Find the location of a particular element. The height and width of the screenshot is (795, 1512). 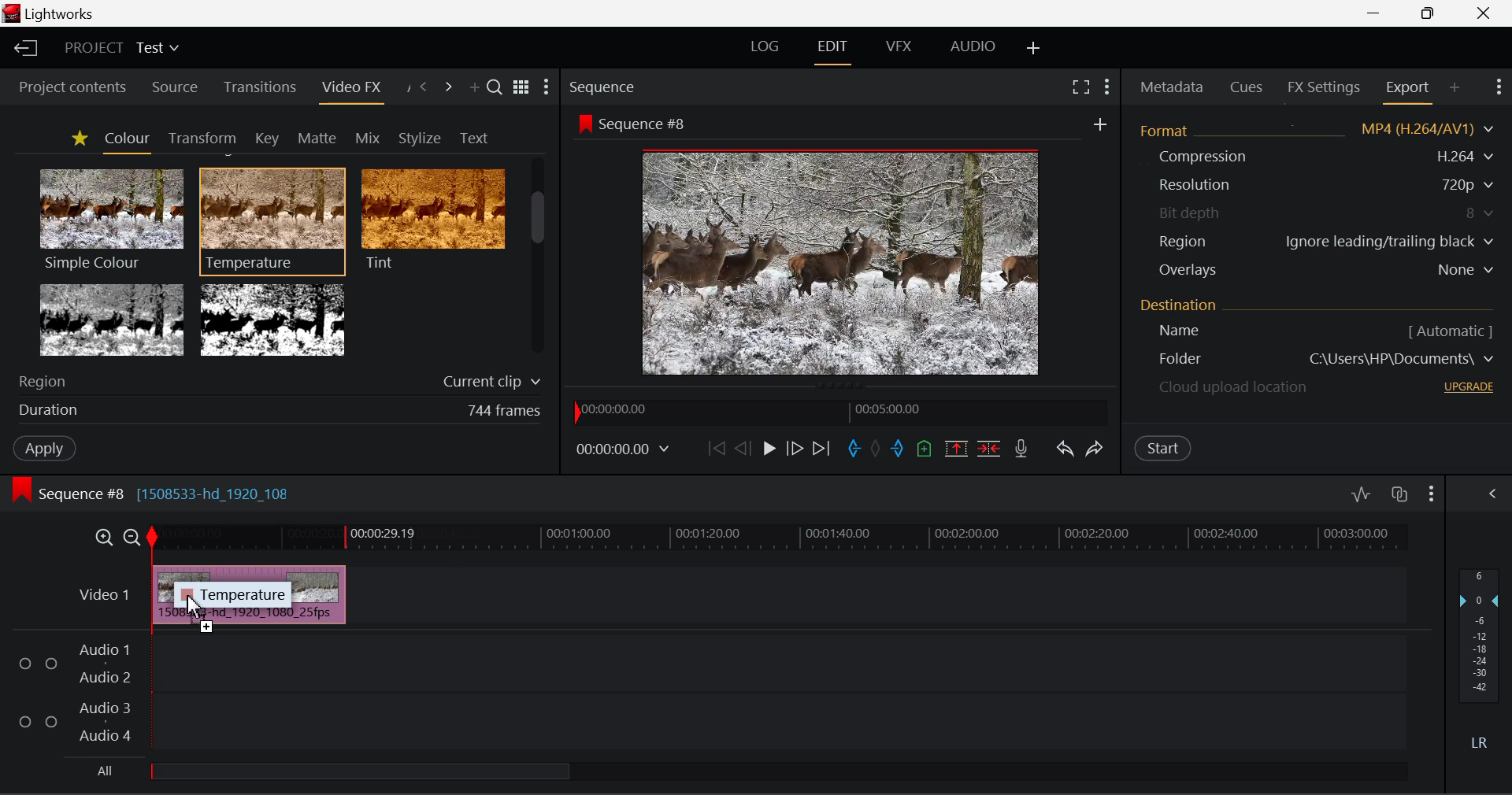

Close is located at coordinates (1484, 12).